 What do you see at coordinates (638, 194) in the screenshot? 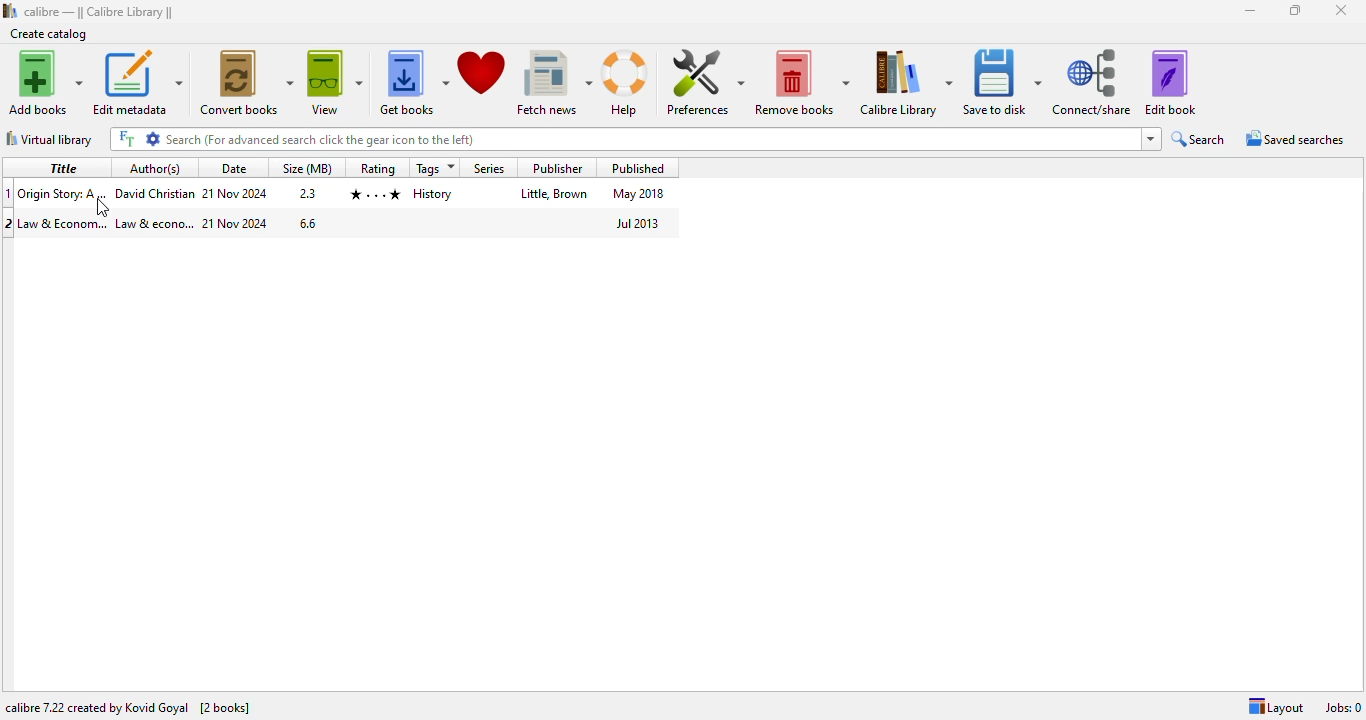
I see `published date` at bounding box center [638, 194].